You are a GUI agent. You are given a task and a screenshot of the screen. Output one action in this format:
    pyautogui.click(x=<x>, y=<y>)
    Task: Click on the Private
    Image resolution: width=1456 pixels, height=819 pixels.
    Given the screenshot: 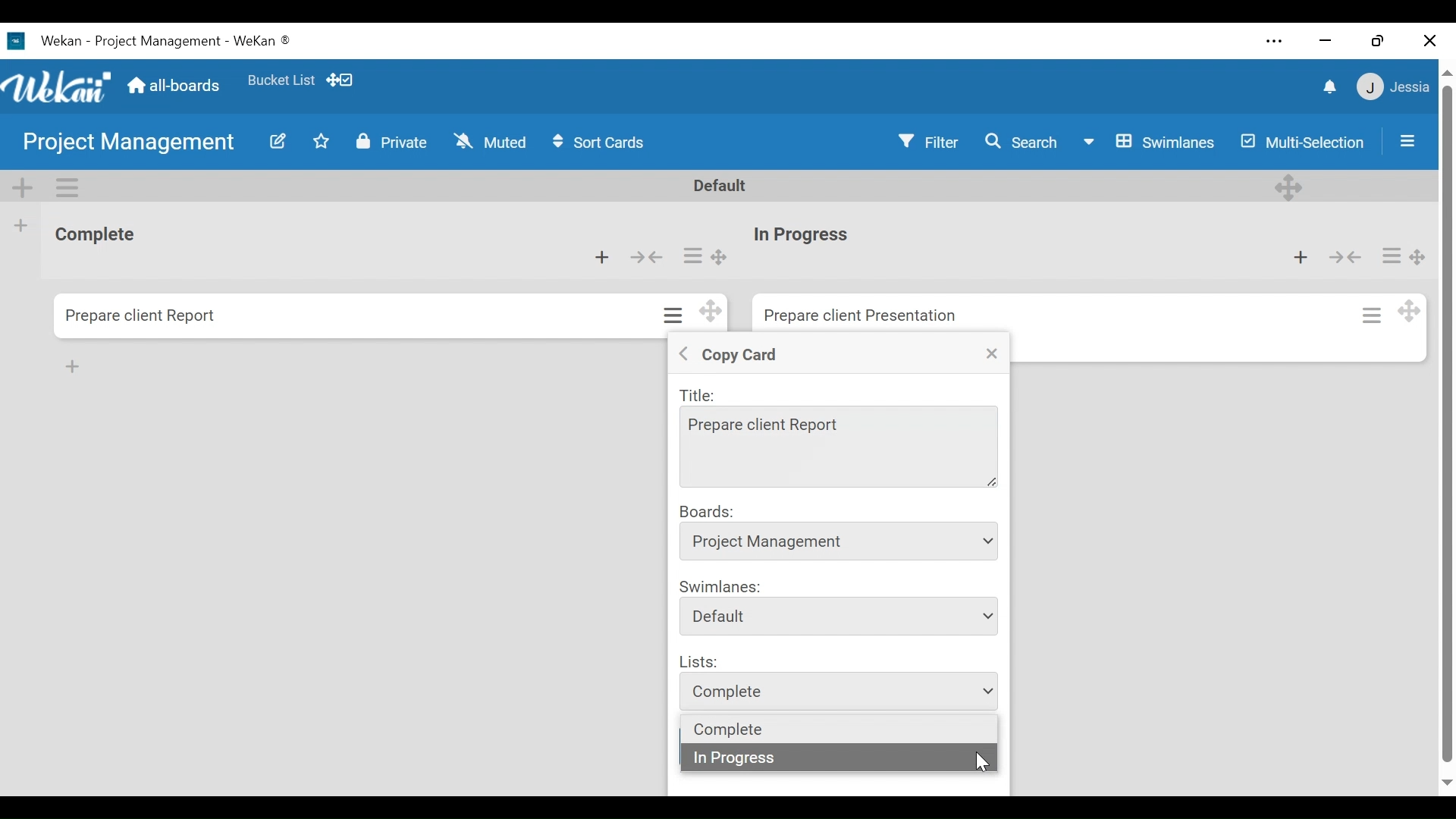 What is the action you would take?
    pyautogui.click(x=394, y=143)
    